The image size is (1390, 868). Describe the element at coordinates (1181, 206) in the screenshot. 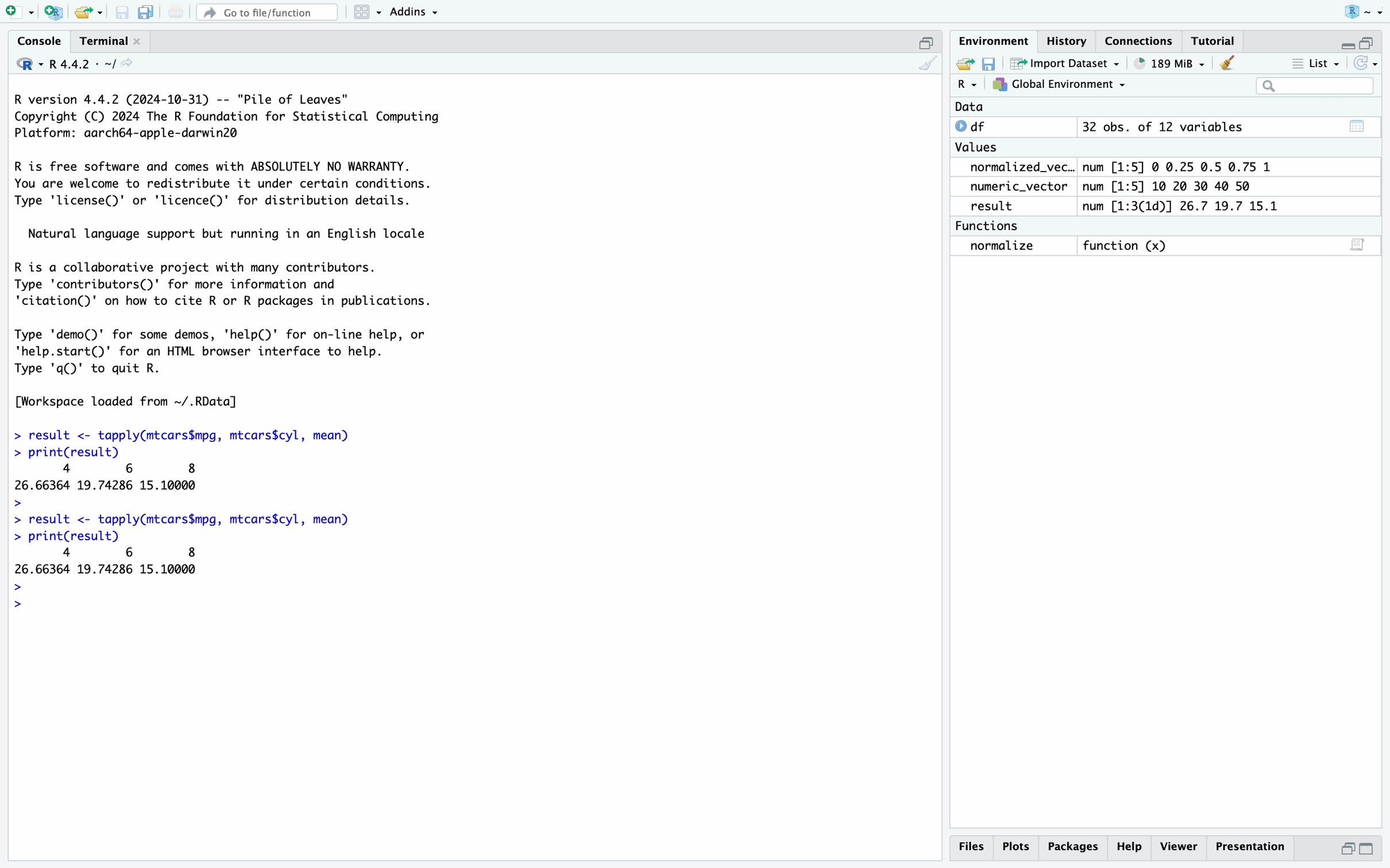

I see `num [1:3(1d)] 26.7 19.7 15.1` at that location.